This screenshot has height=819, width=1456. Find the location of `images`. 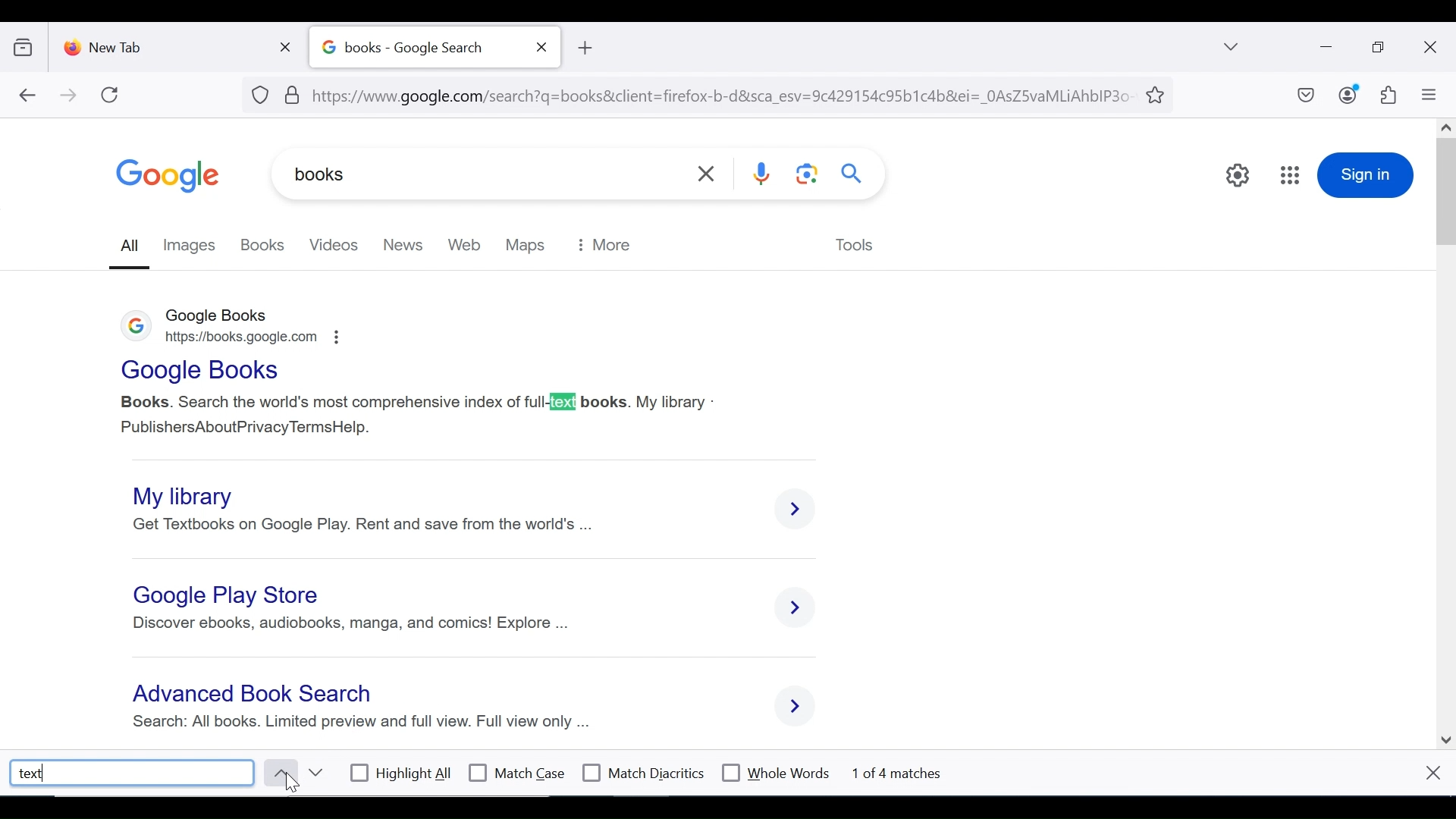

images is located at coordinates (193, 244).